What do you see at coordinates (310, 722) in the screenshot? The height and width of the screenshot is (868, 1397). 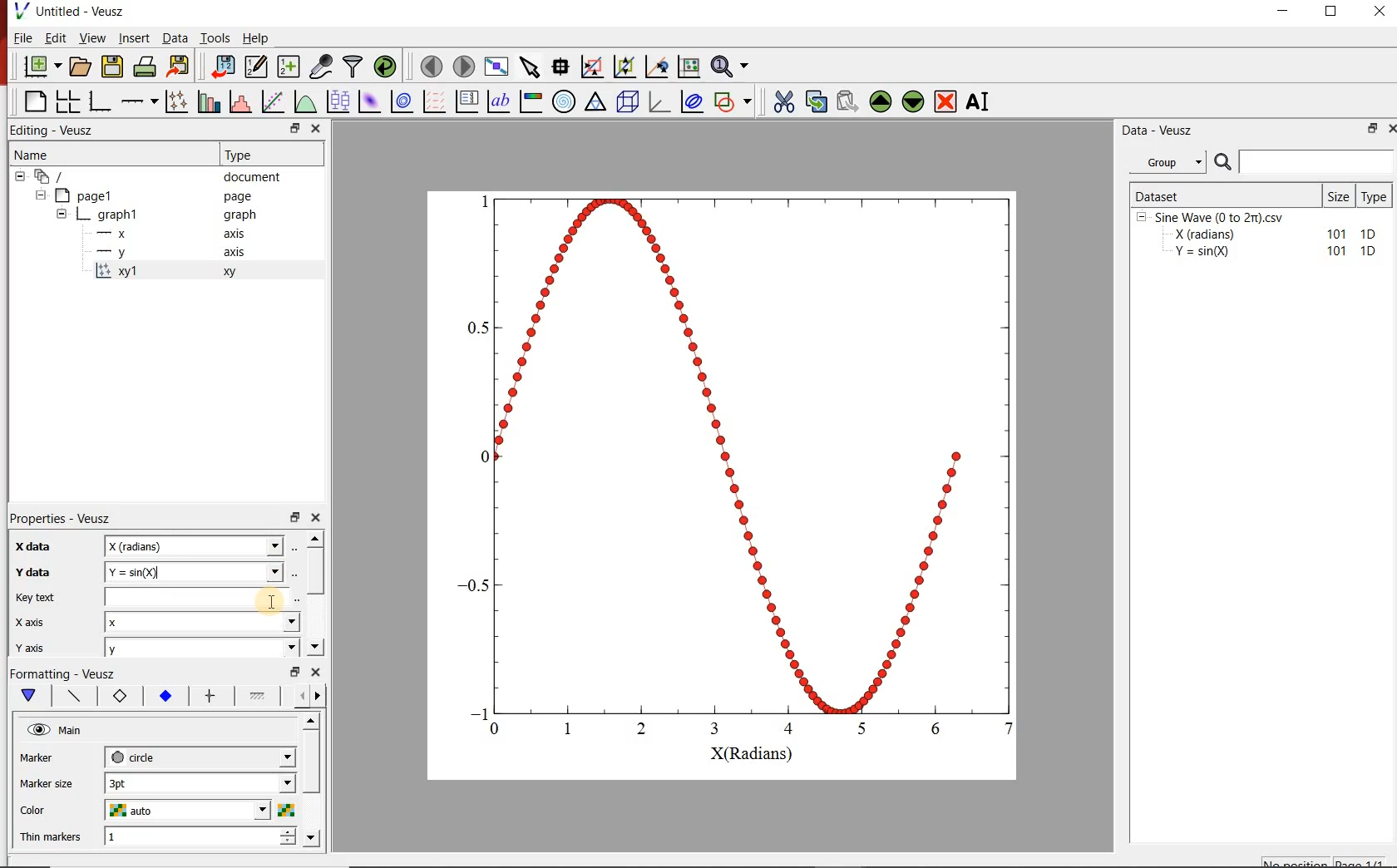 I see `Up` at bounding box center [310, 722].